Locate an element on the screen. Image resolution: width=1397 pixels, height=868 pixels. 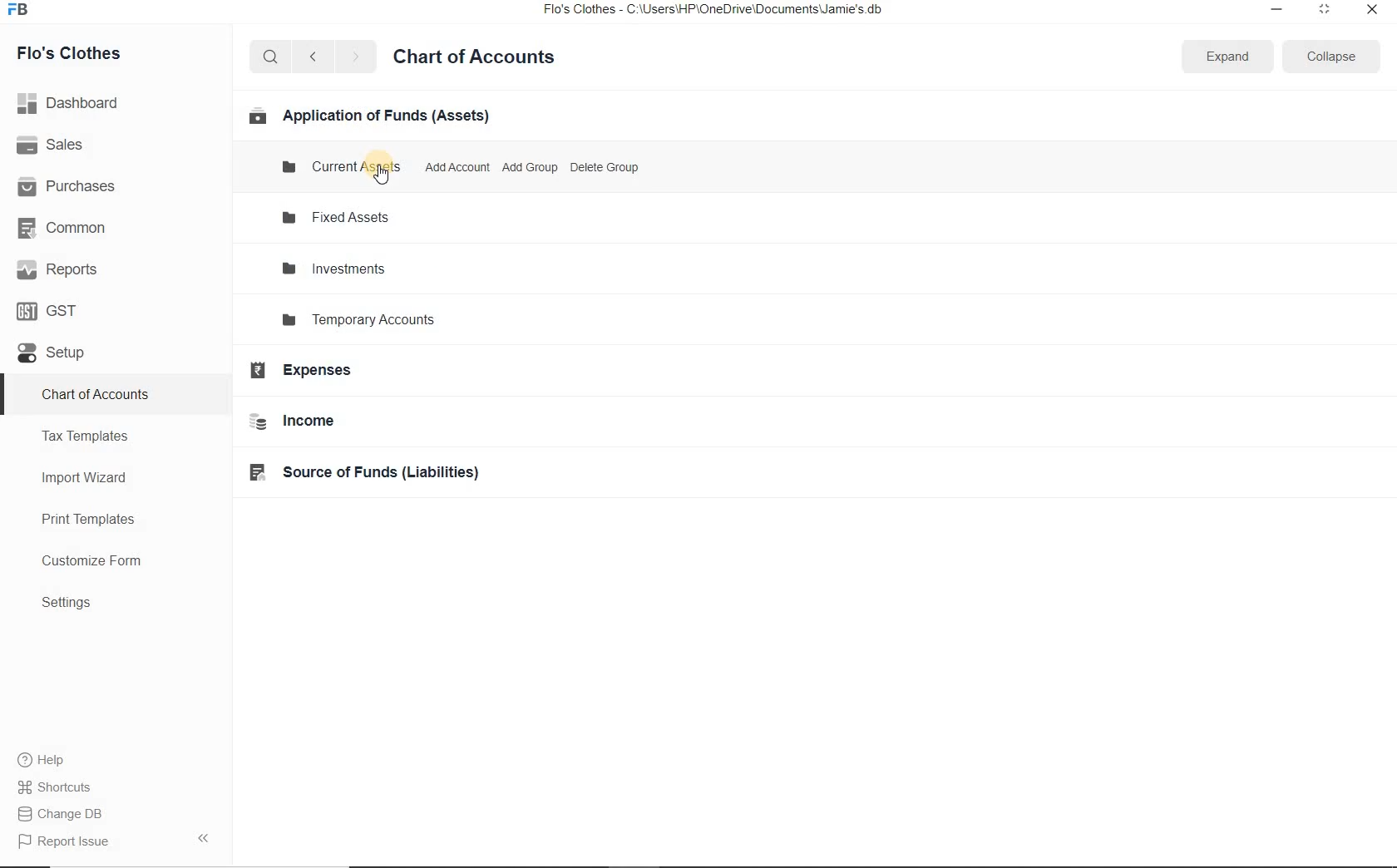
Expand is located at coordinates (1228, 56).